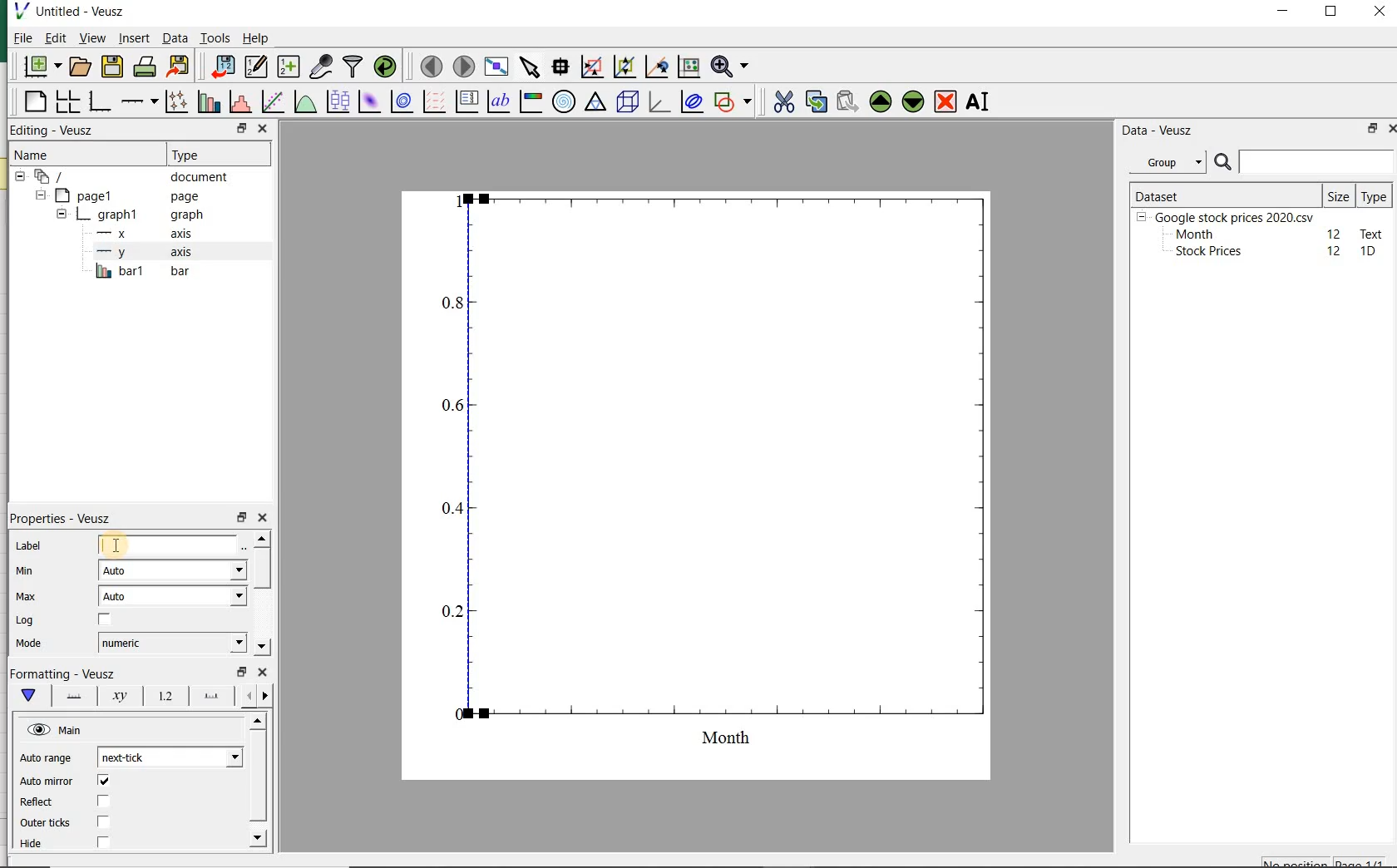  Describe the element at coordinates (170, 544) in the screenshot. I see `input field` at that location.